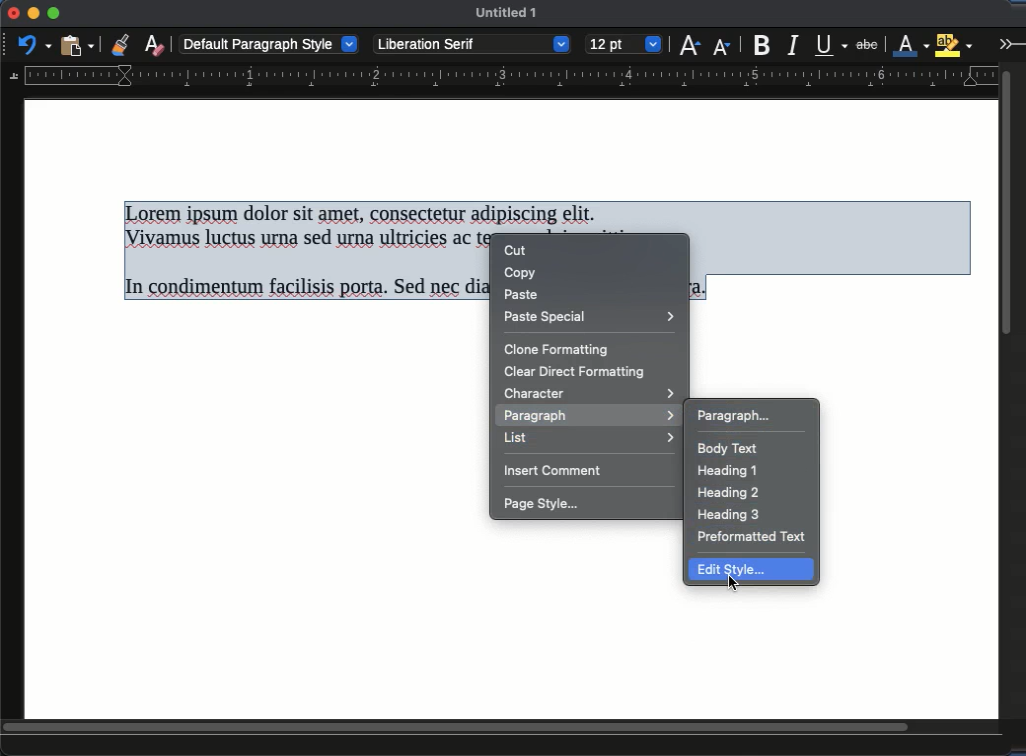 The height and width of the screenshot is (756, 1026). I want to click on guide, so click(500, 77).